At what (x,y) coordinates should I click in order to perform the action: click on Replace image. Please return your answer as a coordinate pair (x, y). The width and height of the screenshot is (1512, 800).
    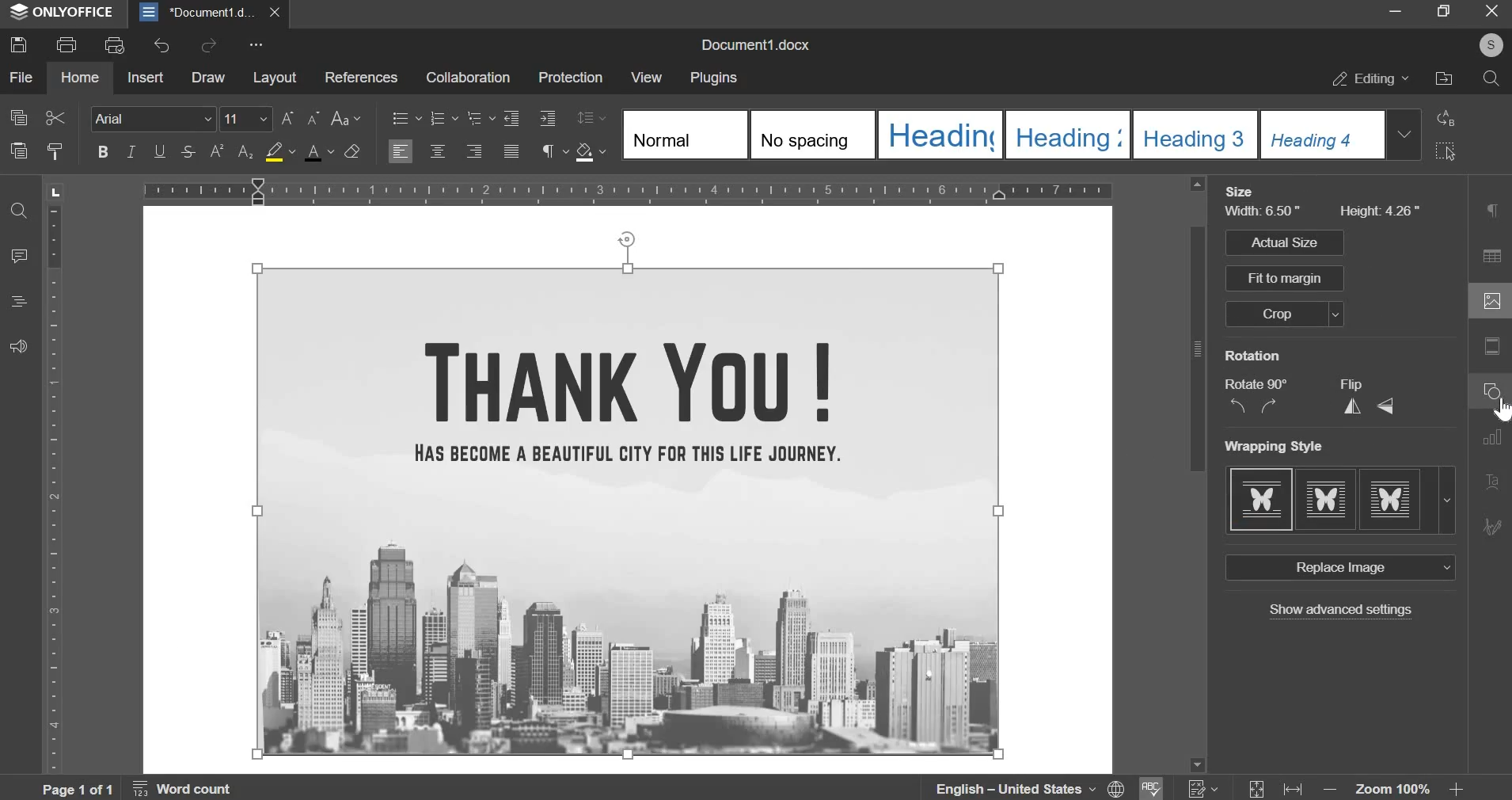
    Looking at the image, I should click on (1342, 566).